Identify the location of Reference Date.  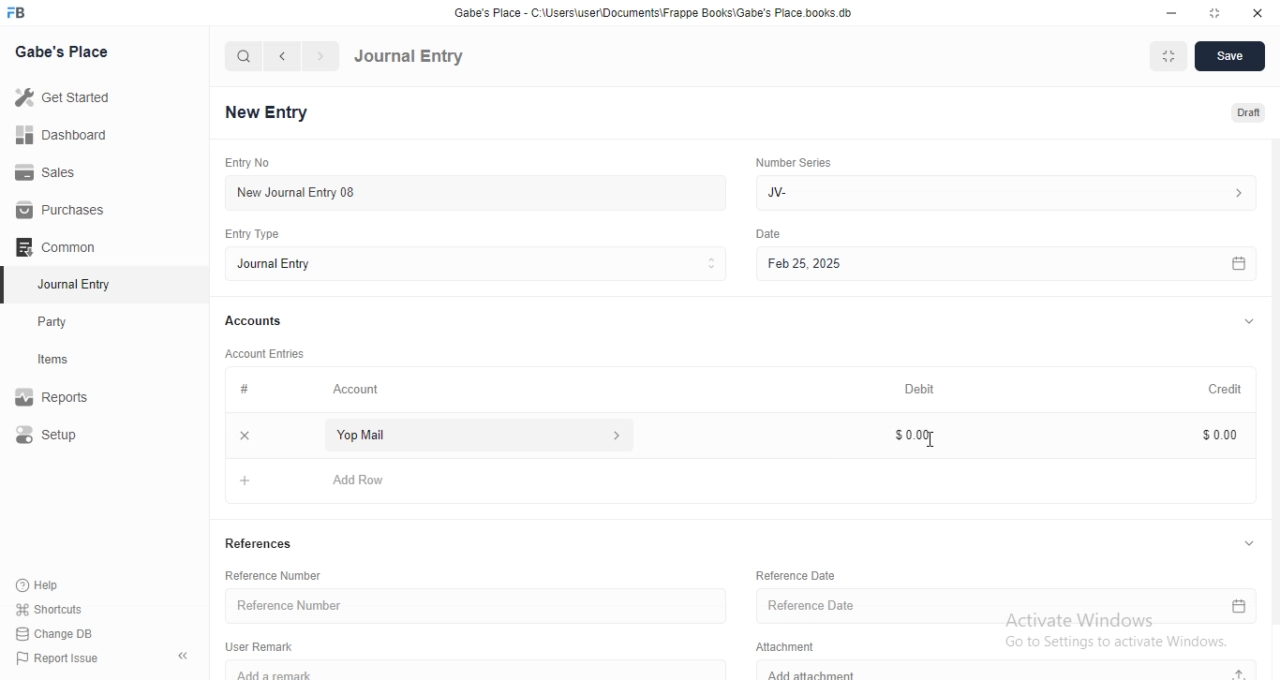
(1007, 608).